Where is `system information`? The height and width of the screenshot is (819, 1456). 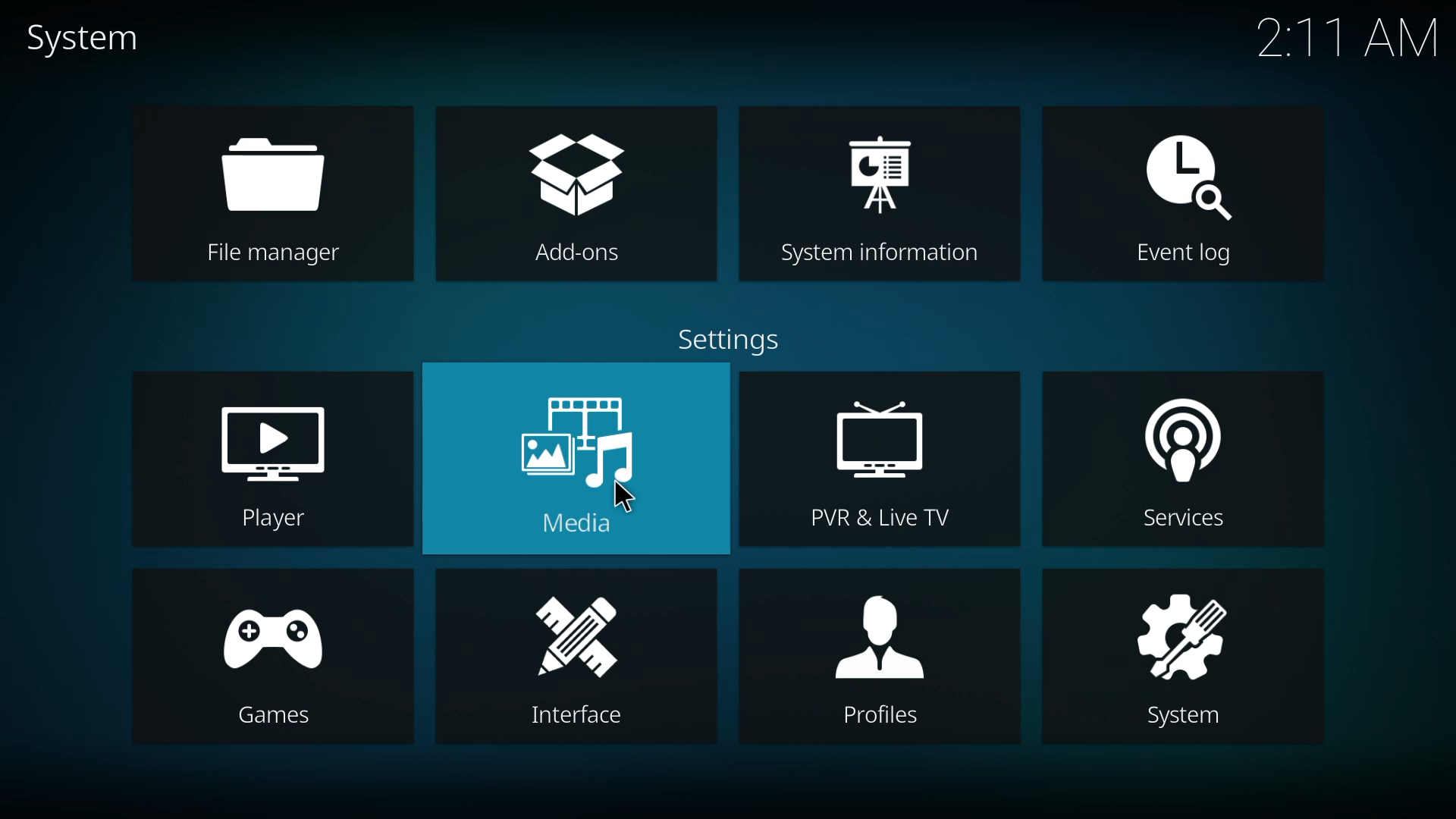
system information is located at coordinates (877, 196).